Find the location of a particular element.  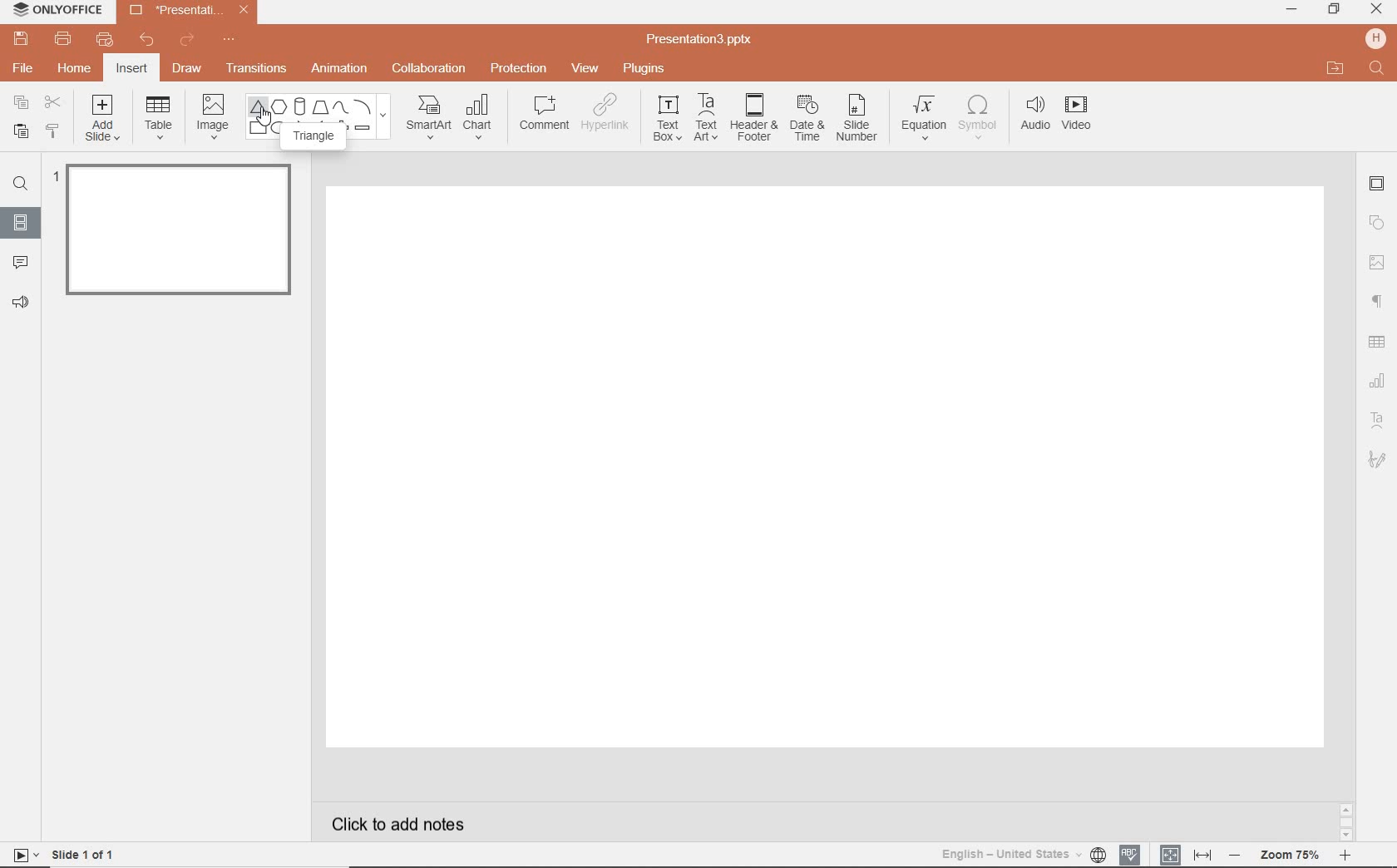

PRINT is located at coordinates (62, 40).